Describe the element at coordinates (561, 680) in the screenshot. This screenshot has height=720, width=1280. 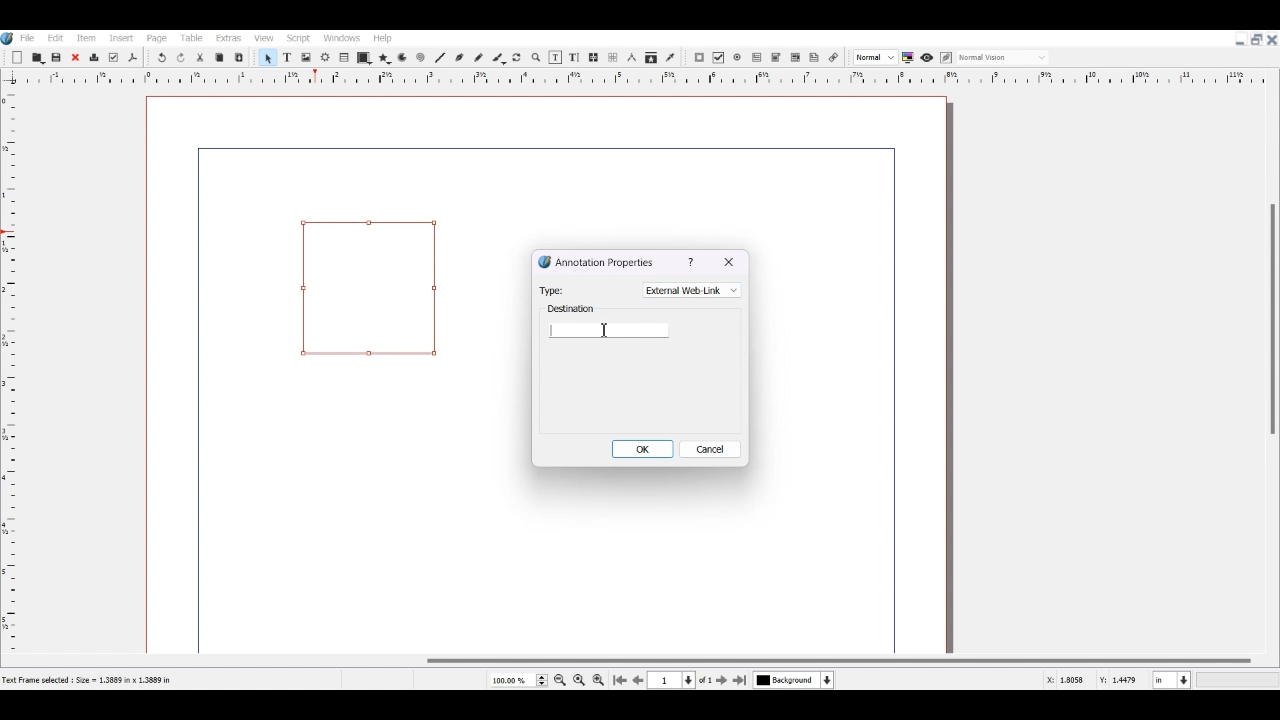
I see `Zoom out` at that location.